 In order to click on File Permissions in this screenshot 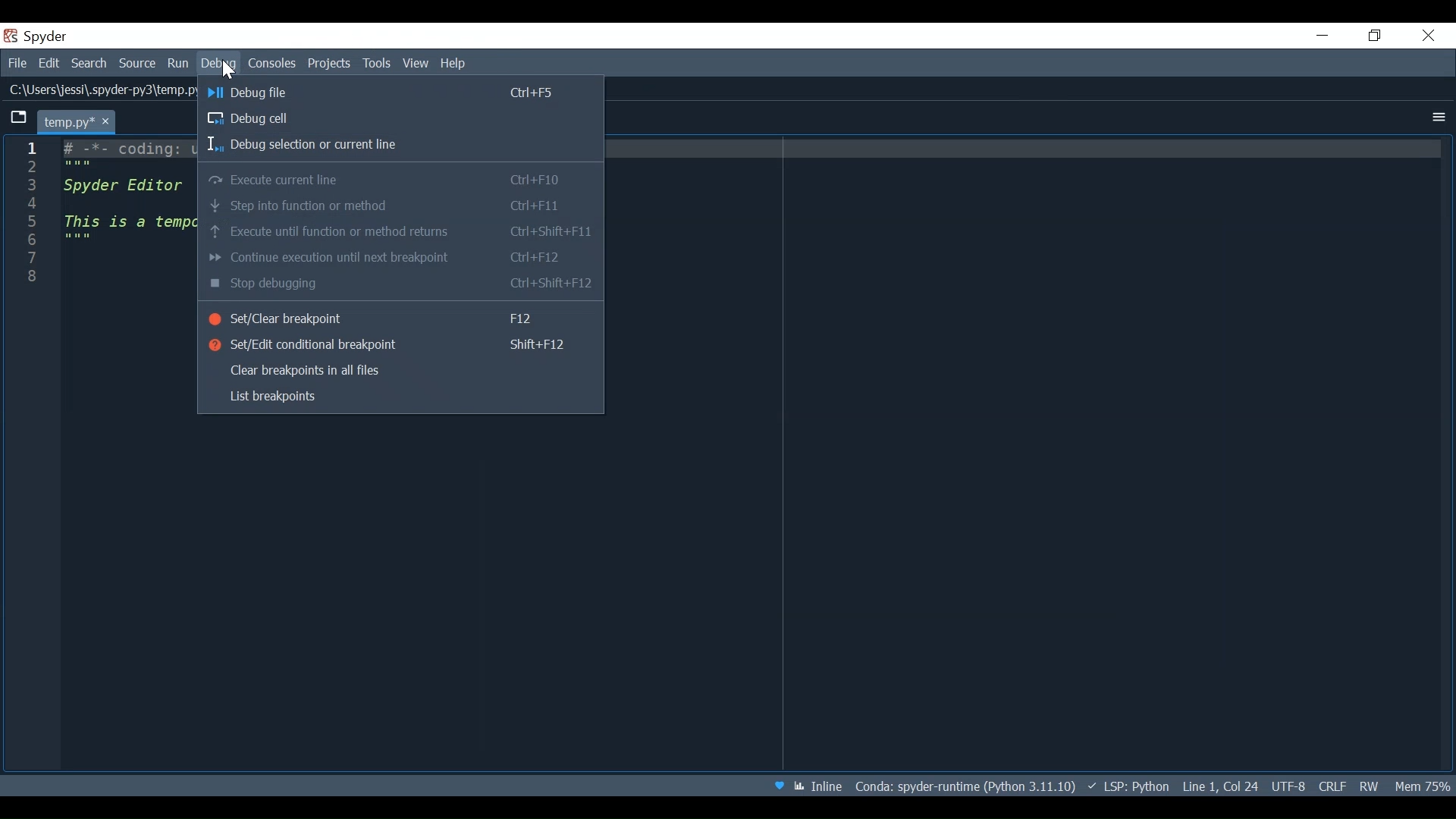, I will do `click(1369, 786)`.